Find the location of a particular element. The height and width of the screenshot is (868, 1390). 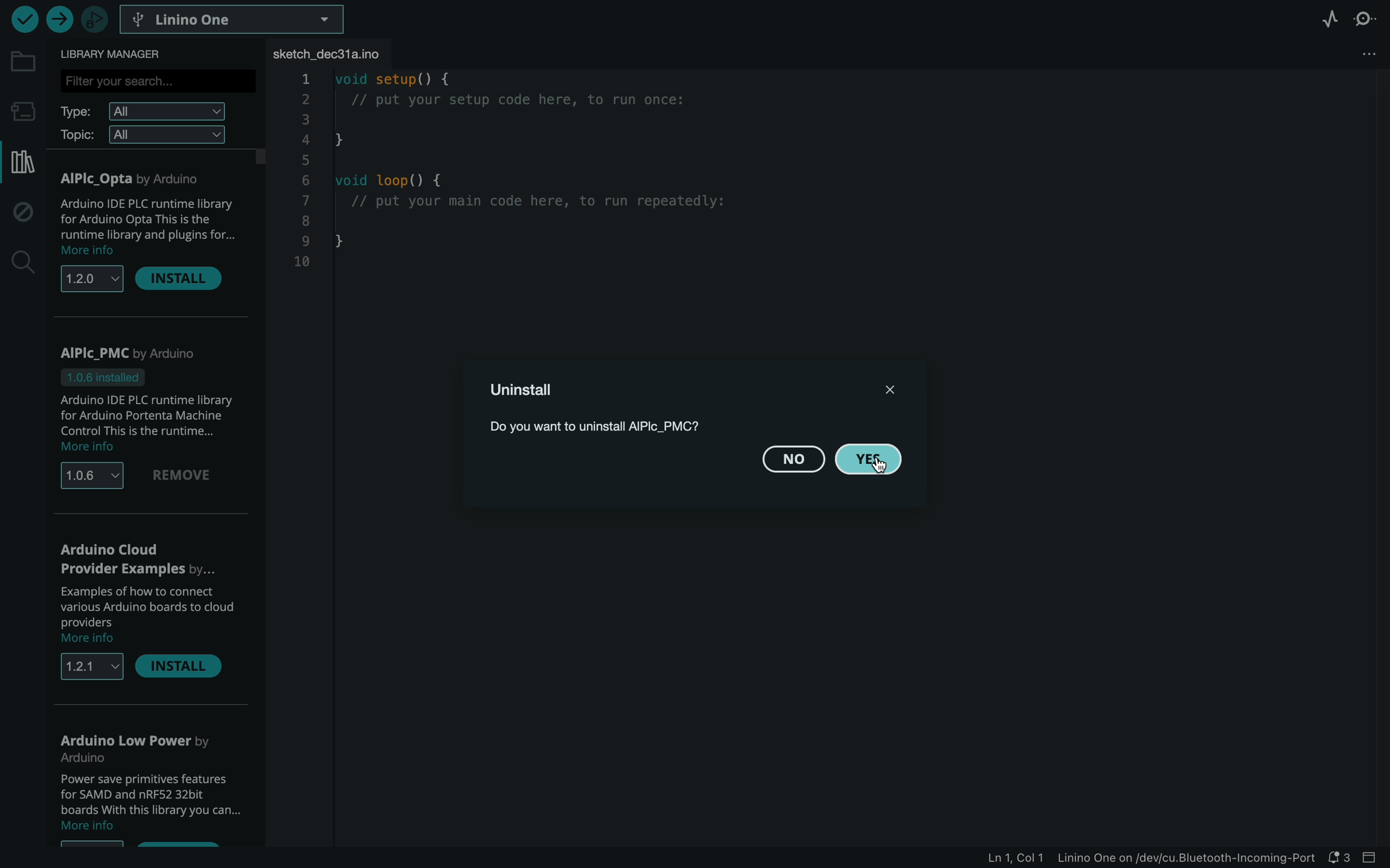

versions is located at coordinates (91, 475).